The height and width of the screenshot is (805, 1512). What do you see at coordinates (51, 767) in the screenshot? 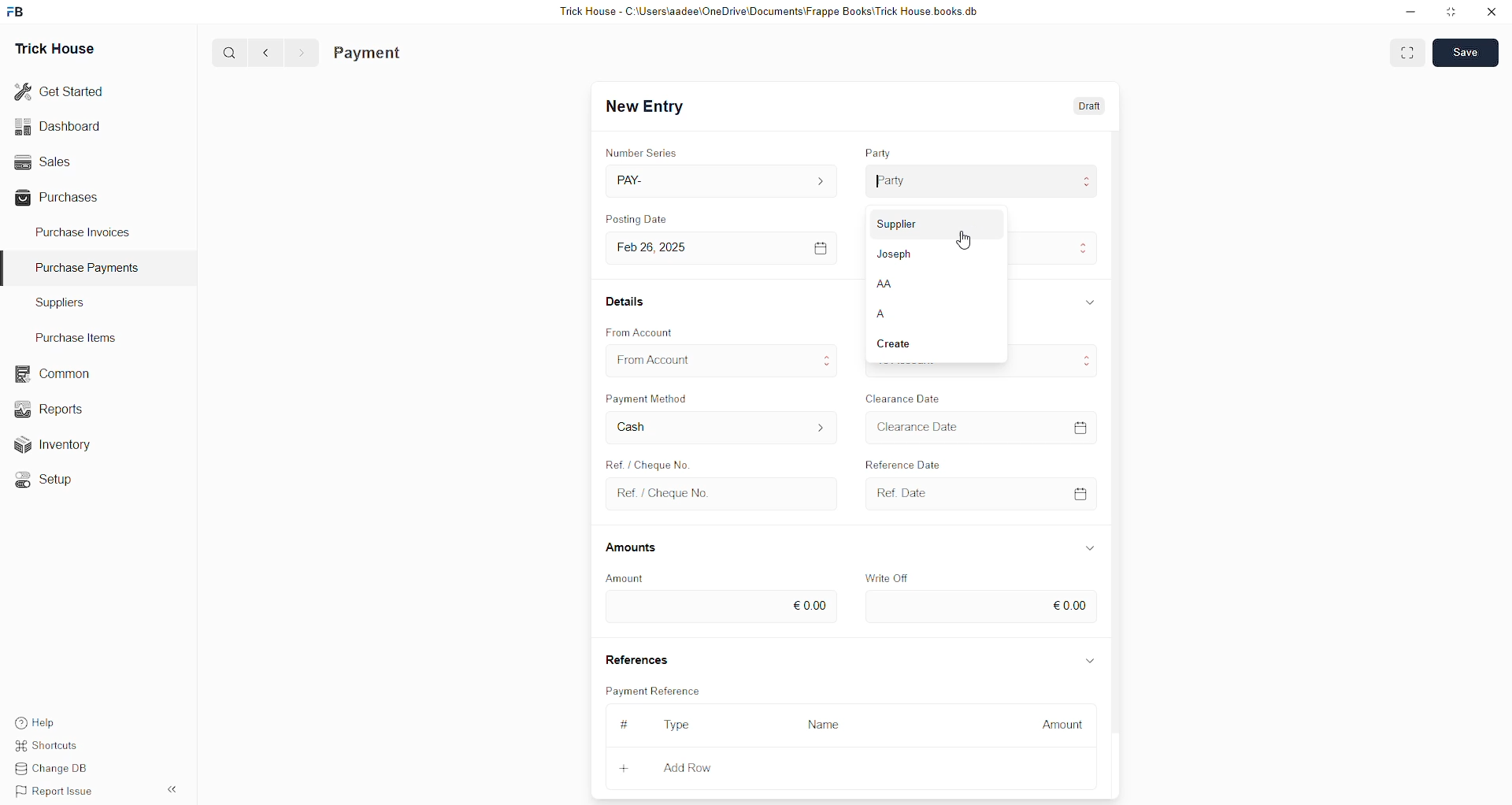
I see `Change DB` at bounding box center [51, 767].